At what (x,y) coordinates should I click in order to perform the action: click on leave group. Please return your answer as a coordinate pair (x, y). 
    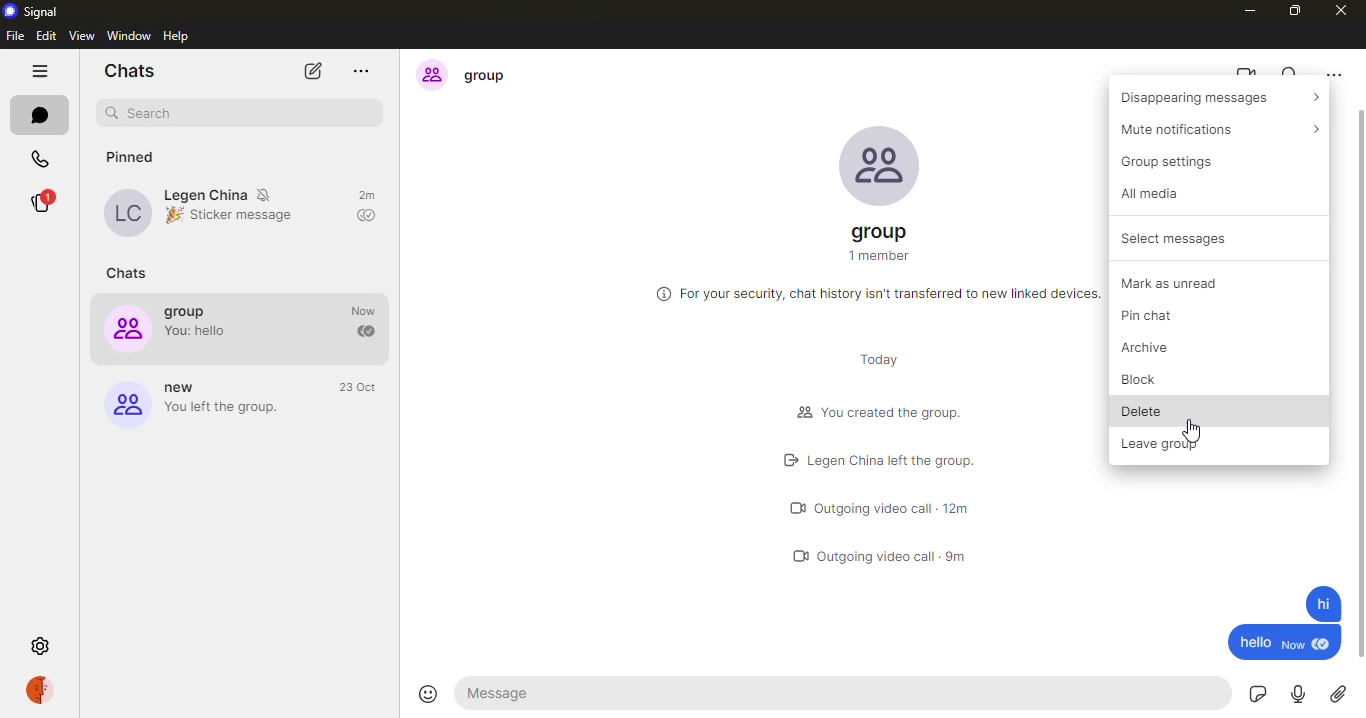
    Looking at the image, I should click on (1165, 443).